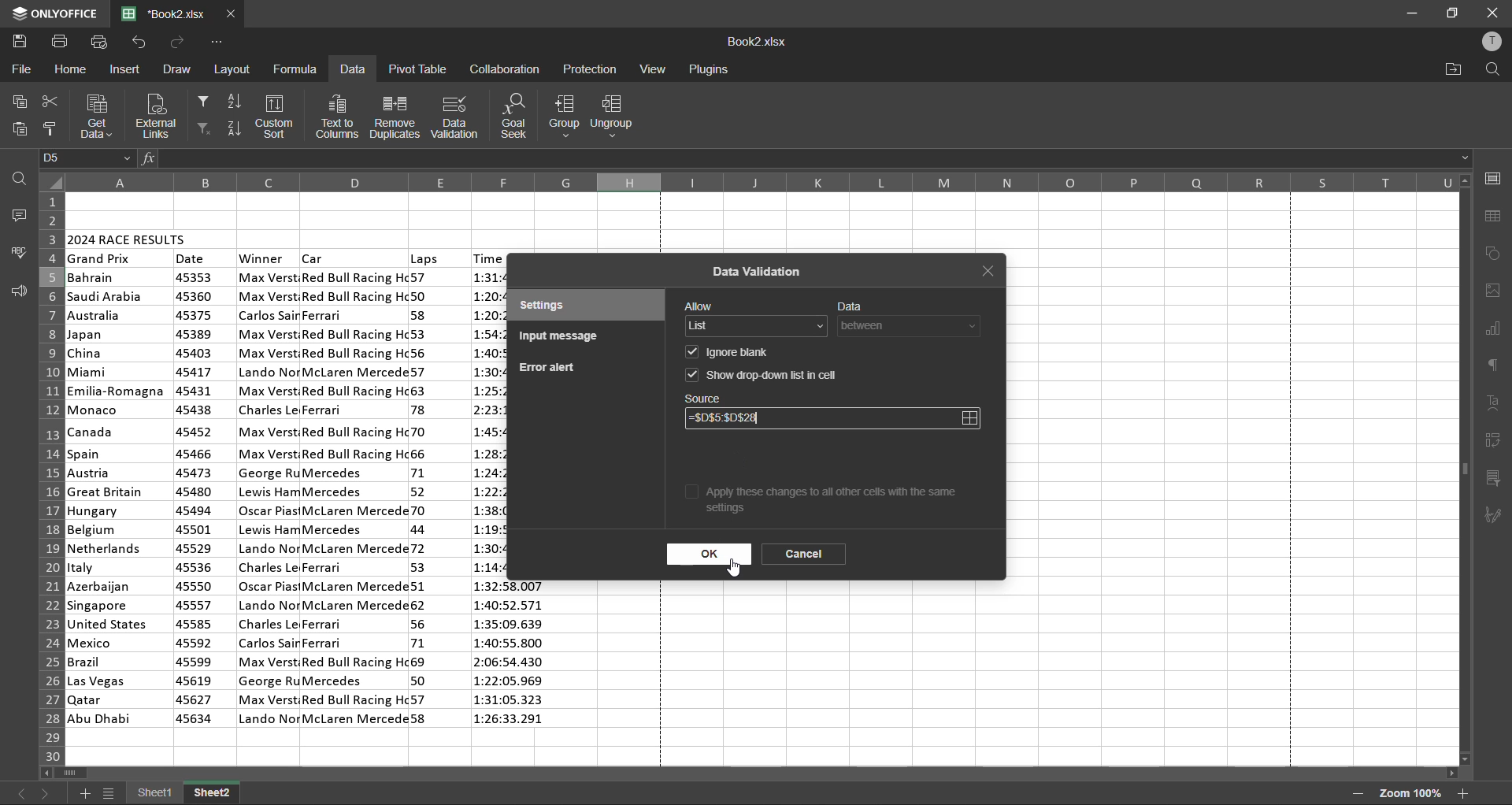  What do you see at coordinates (739, 352) in the screenshot?
I see `ignore blank` at bounding box center [739, 352].